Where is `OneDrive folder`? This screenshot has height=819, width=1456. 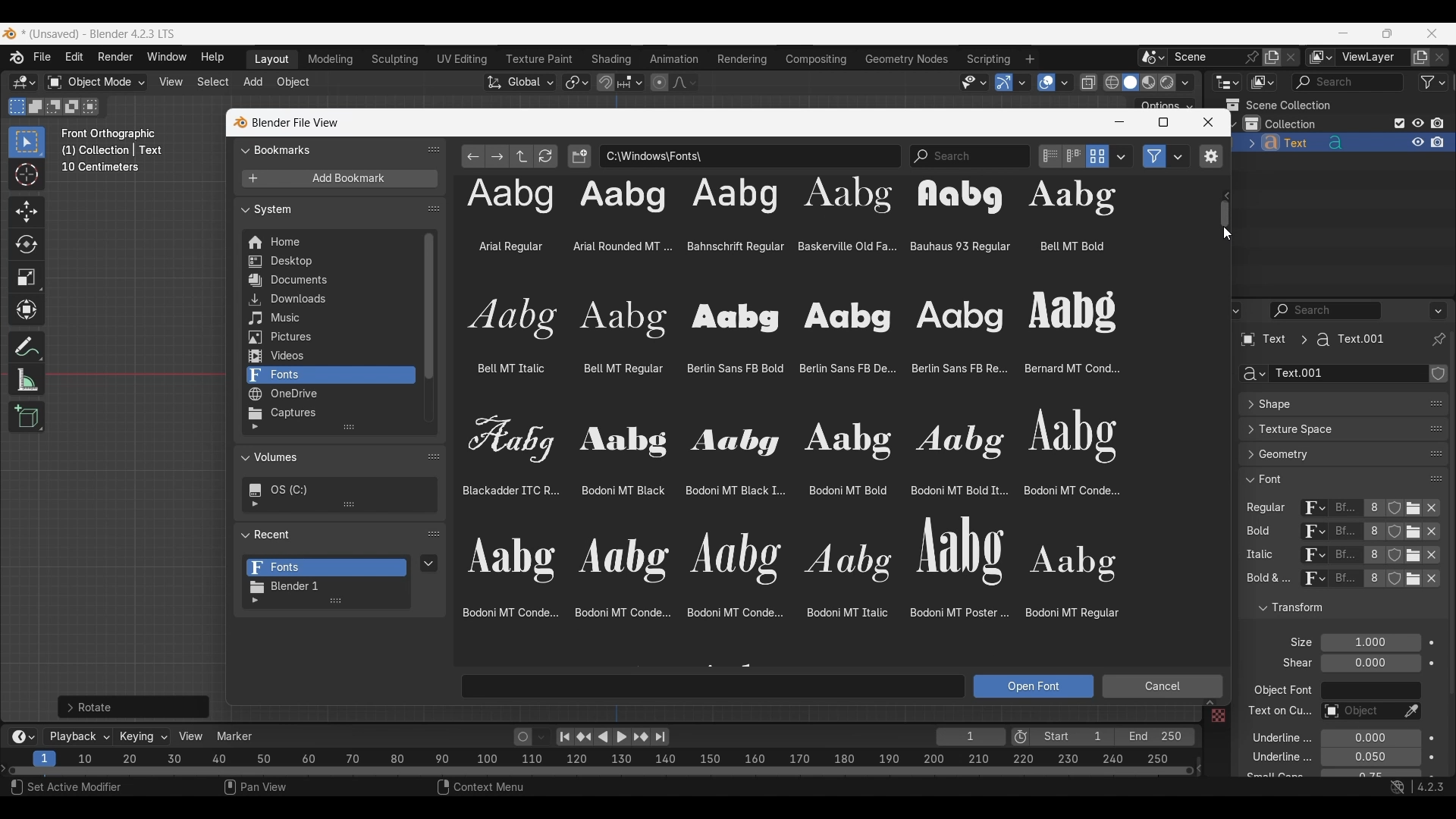
OneDrive folder is located at coordinates (329, 394).